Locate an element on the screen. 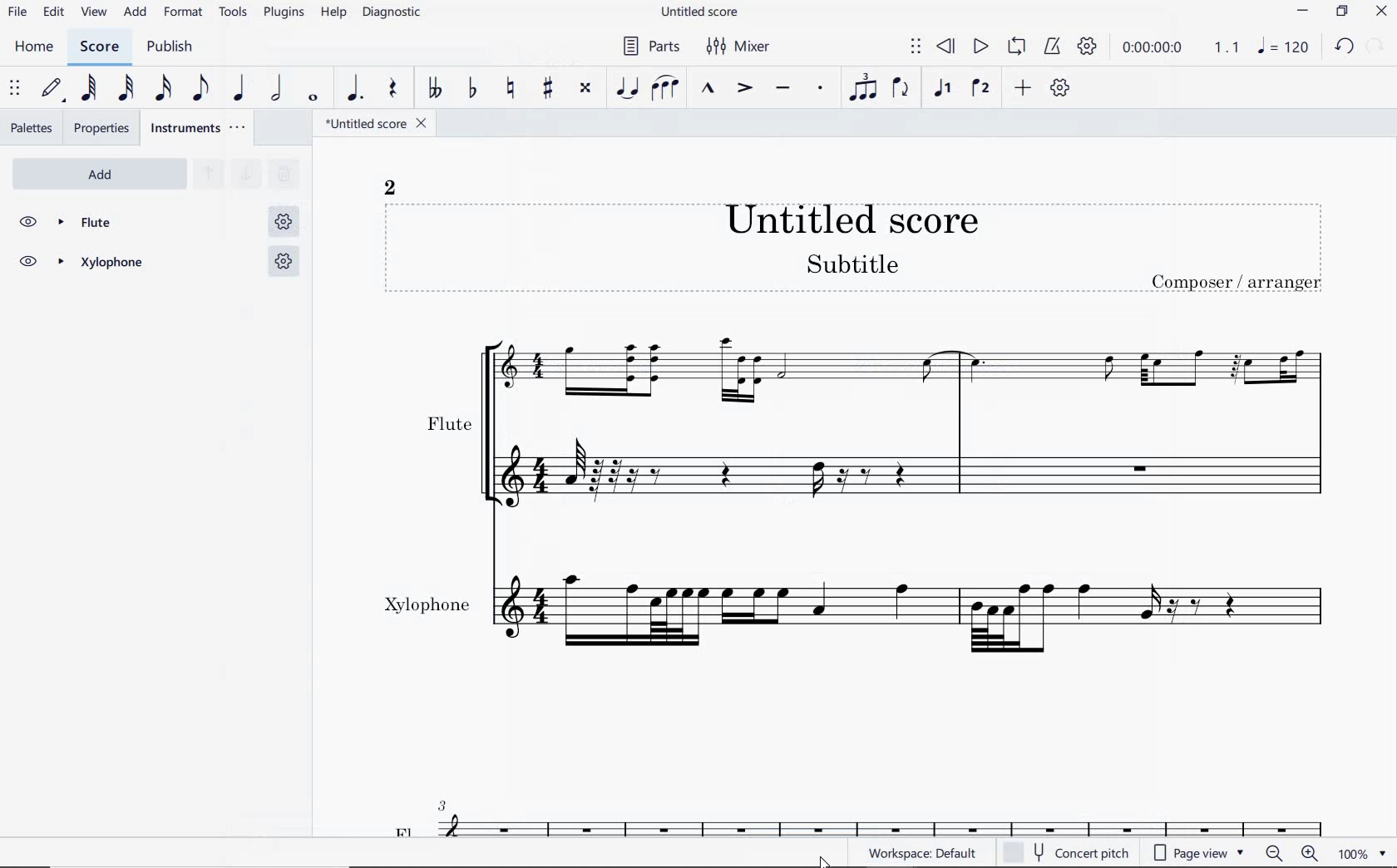 Image resolution: width=1397 pixels, height=868 pixels. VOICE 1 is located at coordinates (943, 91).